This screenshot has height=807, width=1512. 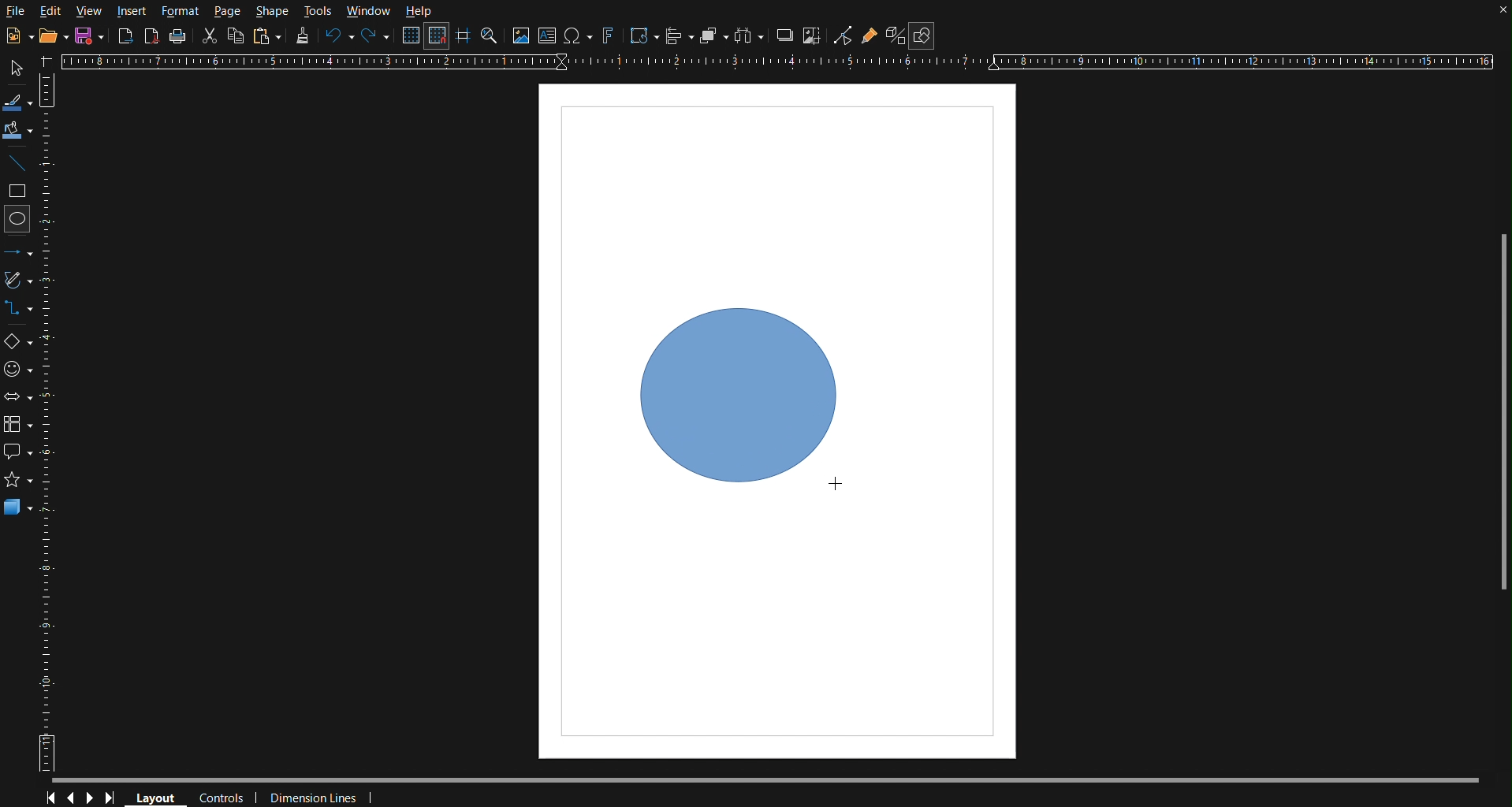 What do you see at coordinates (711, 35) in the screenshot?
I see `Arrange` at bounding box center [711, 35].